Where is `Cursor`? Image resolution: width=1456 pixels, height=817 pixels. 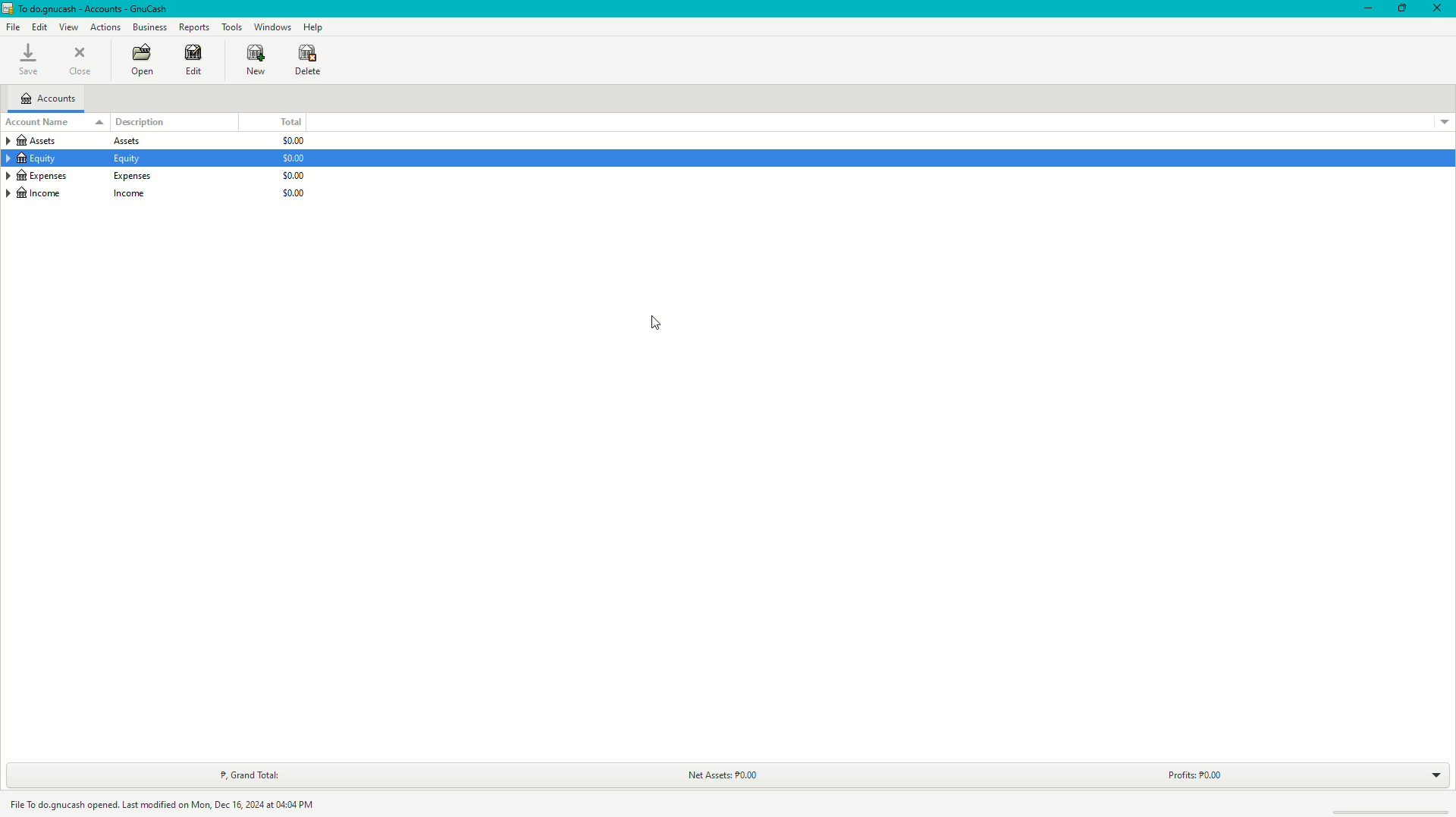
Cursor is located at coordinates (658, 322).